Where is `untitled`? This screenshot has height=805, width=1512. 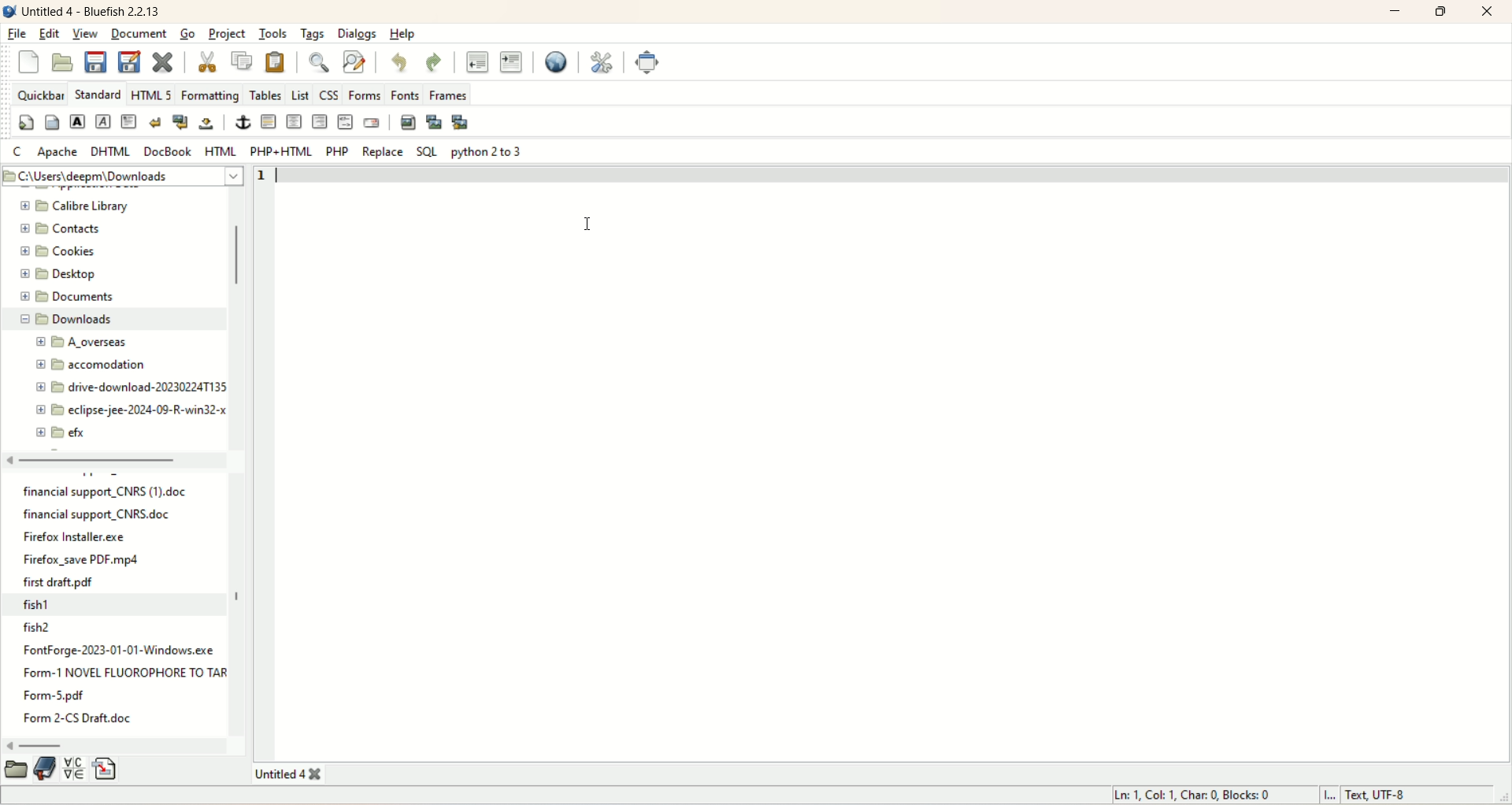 untitled is located at coordinates (289, 773).